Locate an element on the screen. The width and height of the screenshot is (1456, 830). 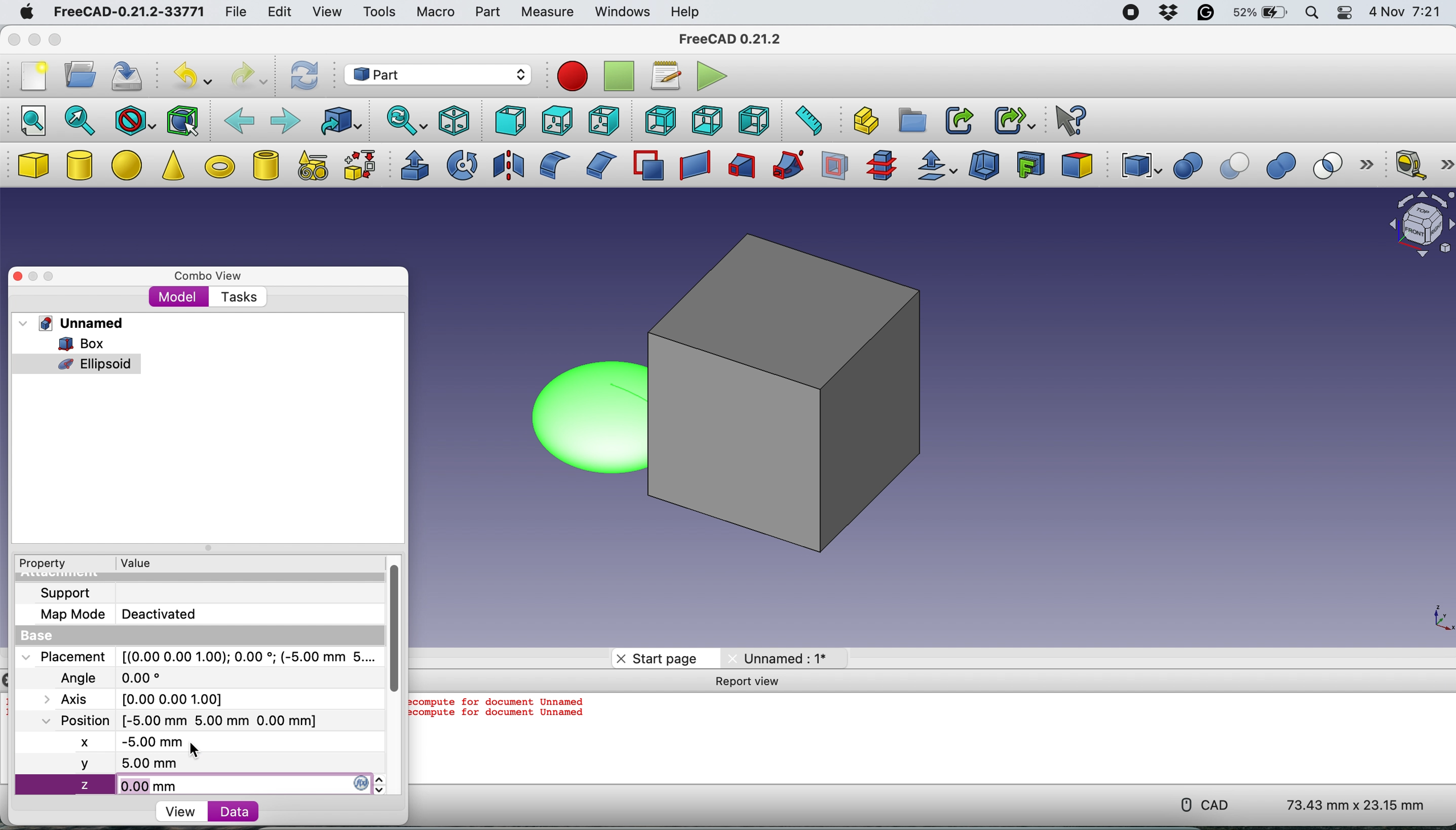
create part is located at coordinates (863, 121).